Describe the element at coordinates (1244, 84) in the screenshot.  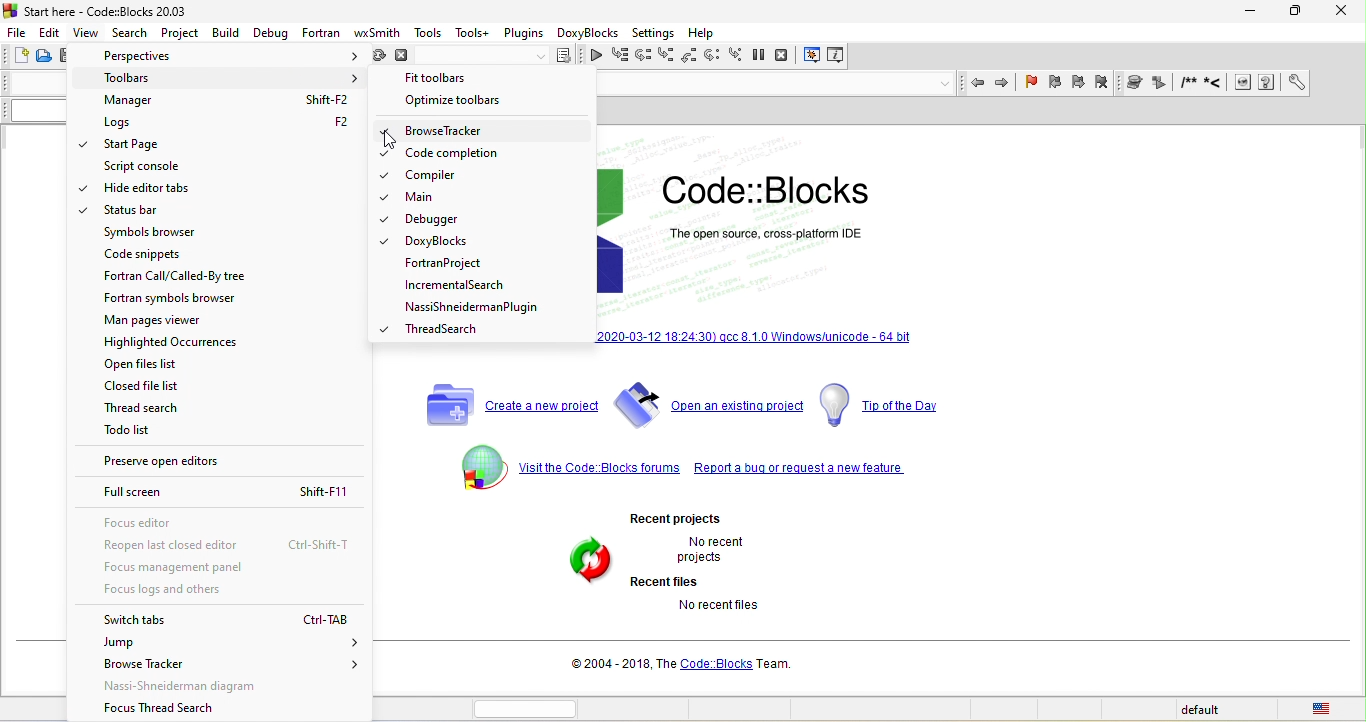
I see `run html ` at that location.